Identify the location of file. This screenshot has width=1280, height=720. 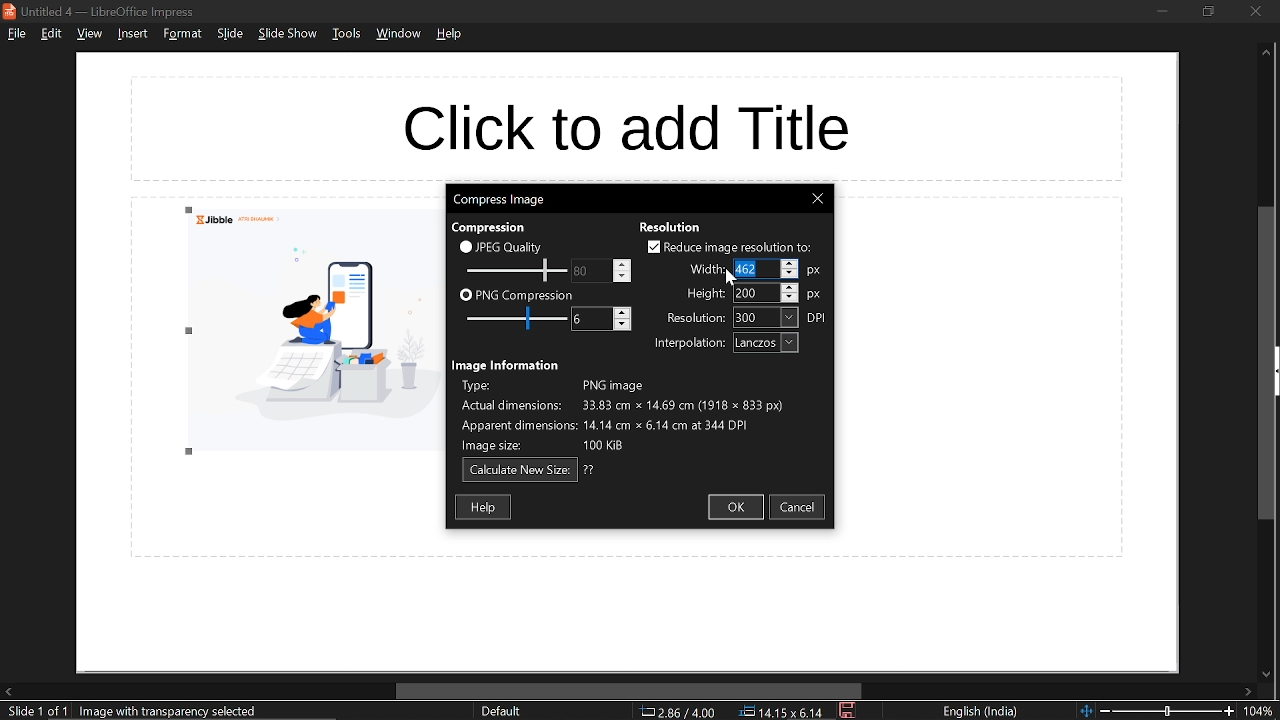
(16, 33).